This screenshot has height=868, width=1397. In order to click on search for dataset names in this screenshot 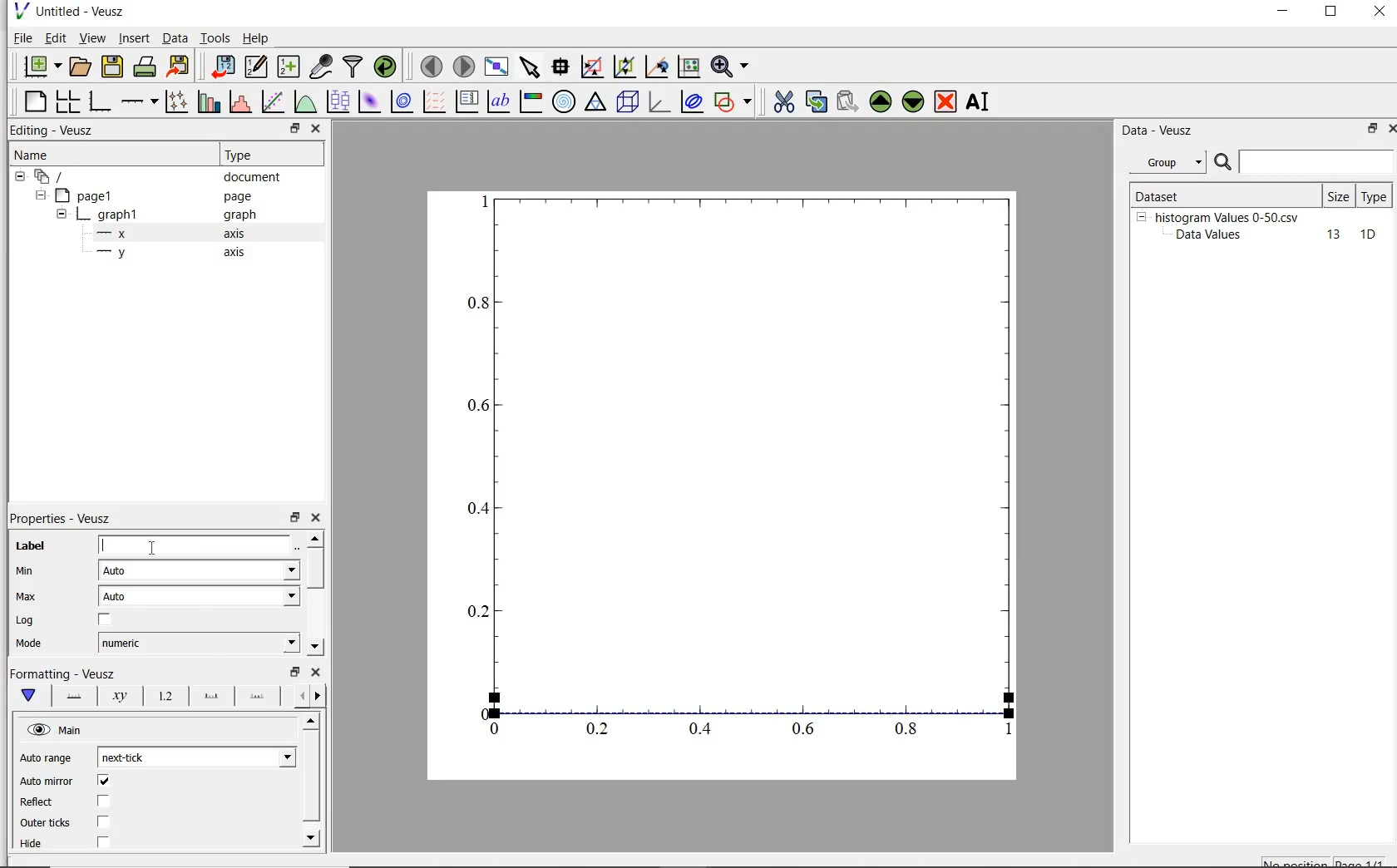, I will do `click(1317, 162)`.